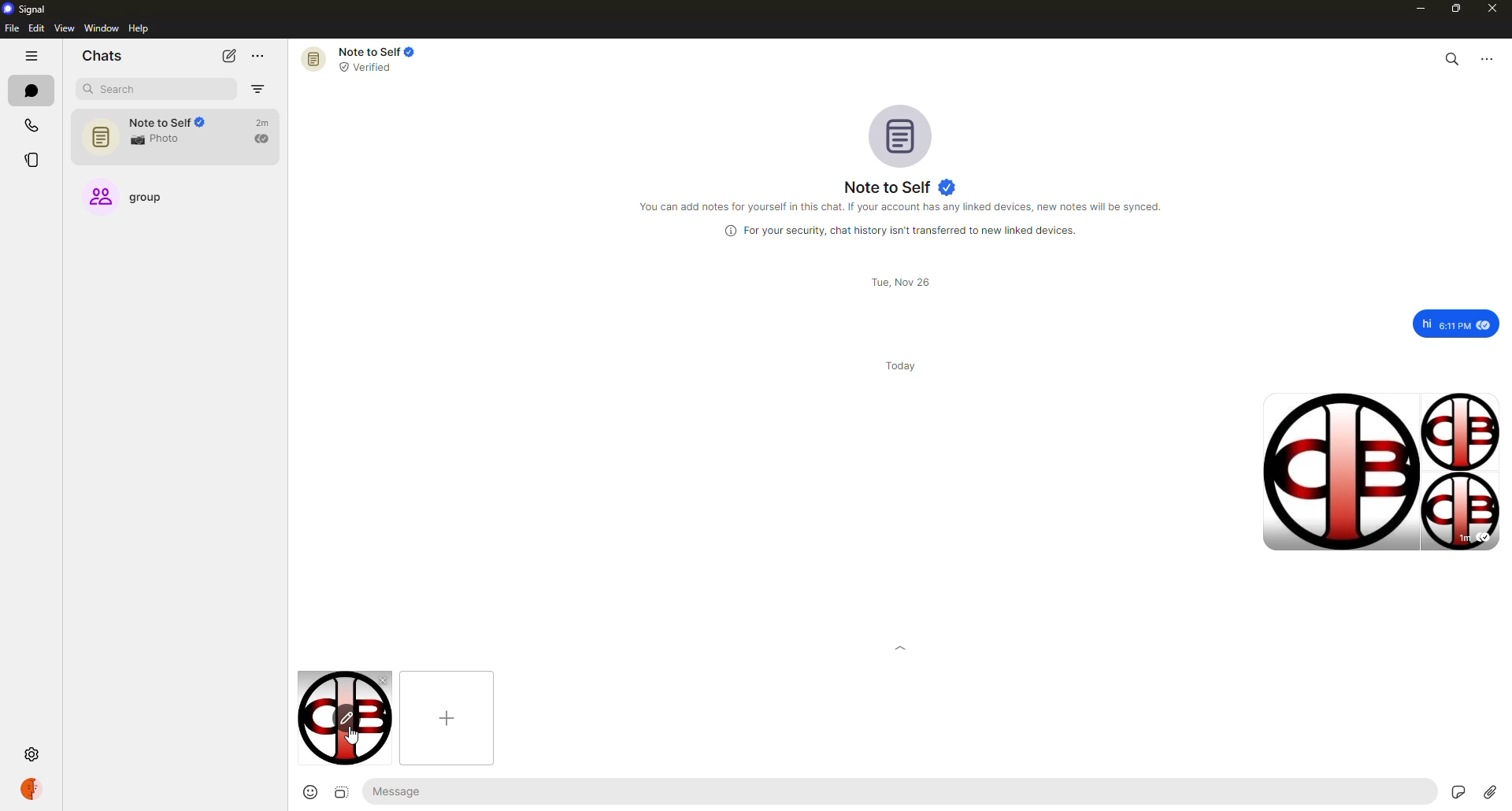 This screenshot has height=811, width=1512. Describe the element at coordinates (178, 137) in the screenshot. I see `note to self` at that location.